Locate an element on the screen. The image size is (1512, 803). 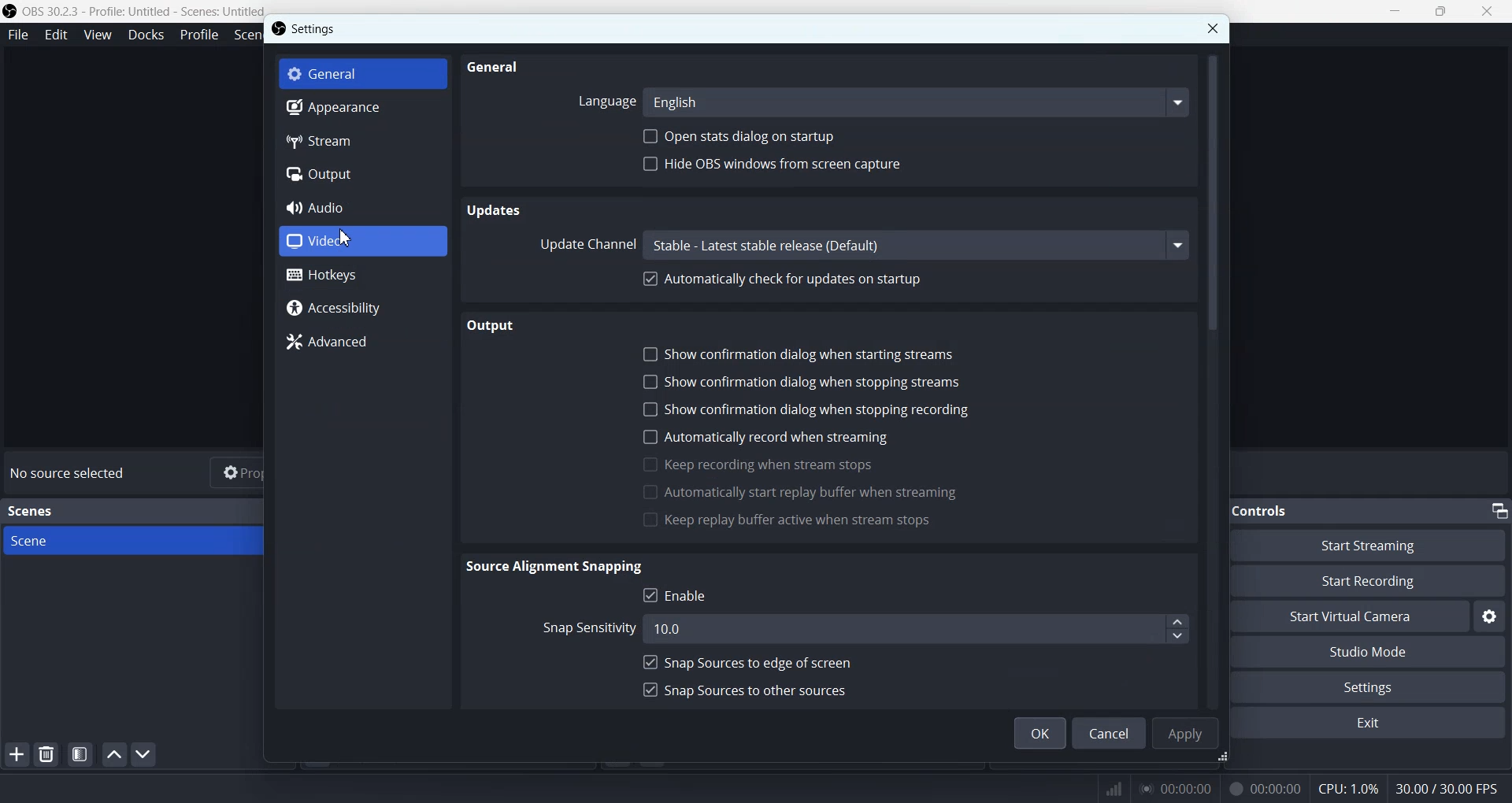
Minimize is located at coordinates (1395, 10).